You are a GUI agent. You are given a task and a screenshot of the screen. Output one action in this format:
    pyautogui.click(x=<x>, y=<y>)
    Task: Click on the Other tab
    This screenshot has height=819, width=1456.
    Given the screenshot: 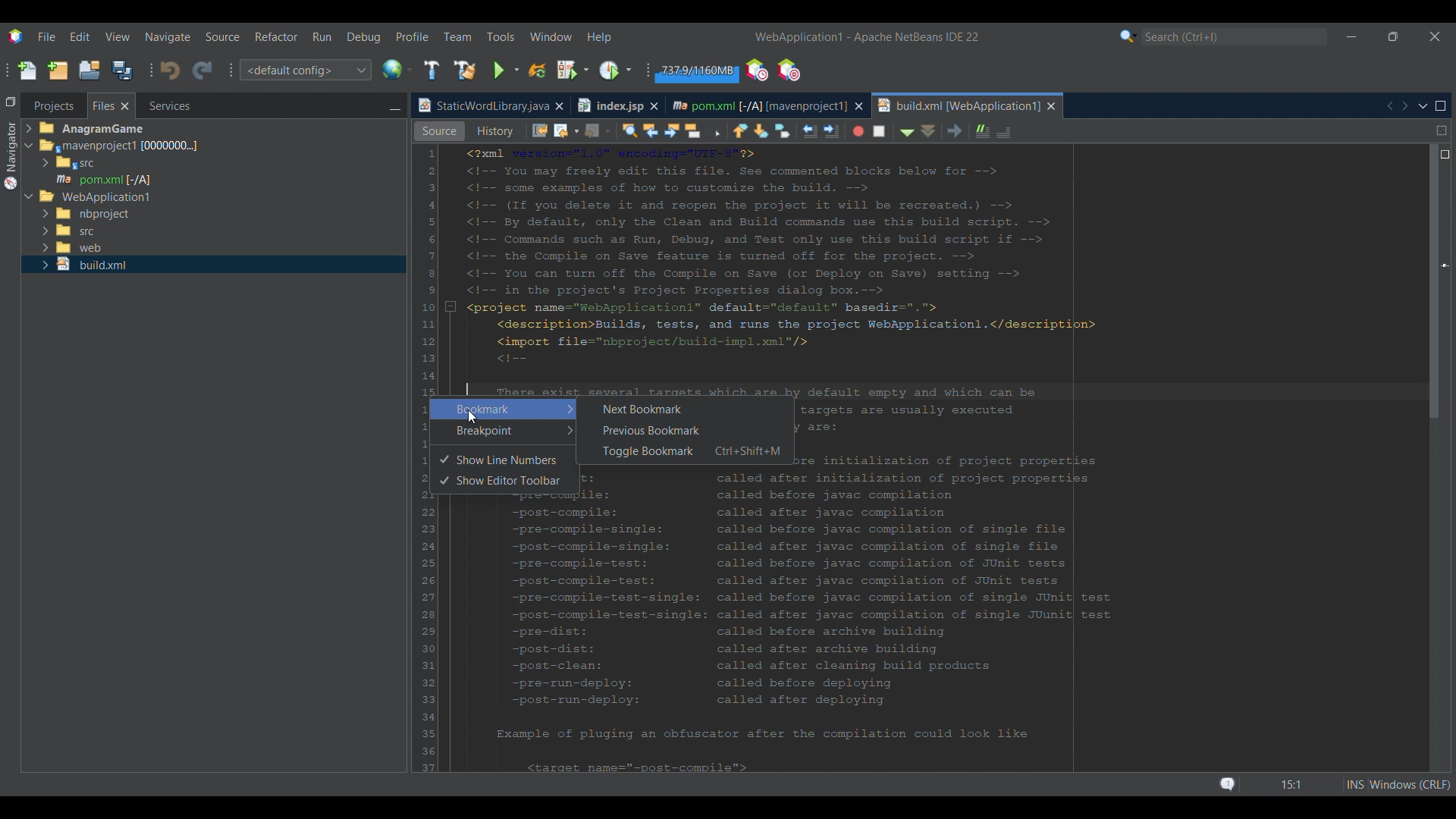 What is the action you would take?
    pyautogui.click(x=617, y=105)
    